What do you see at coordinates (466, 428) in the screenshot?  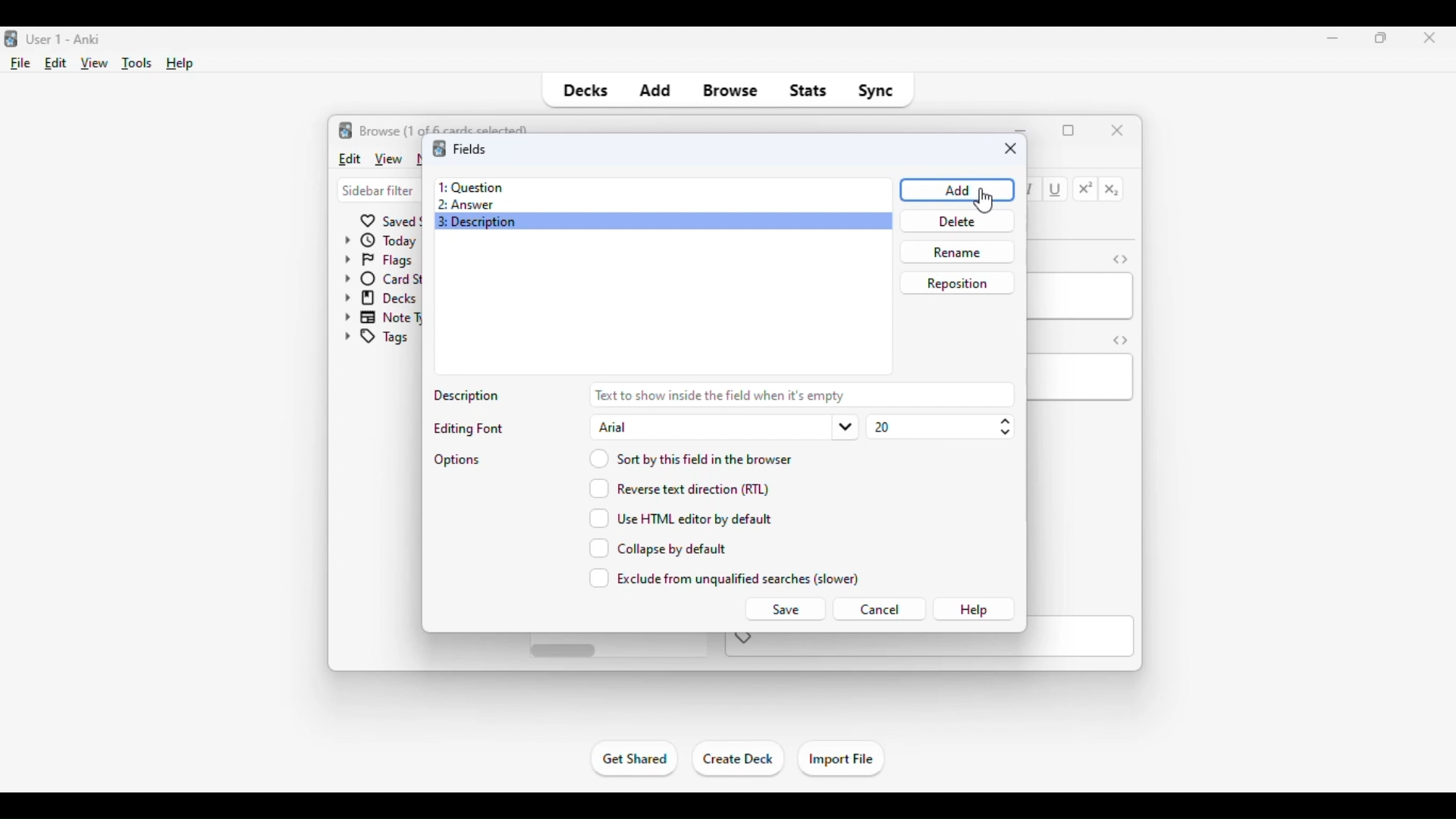 I see `editing font` at bounding box center [466, 428].